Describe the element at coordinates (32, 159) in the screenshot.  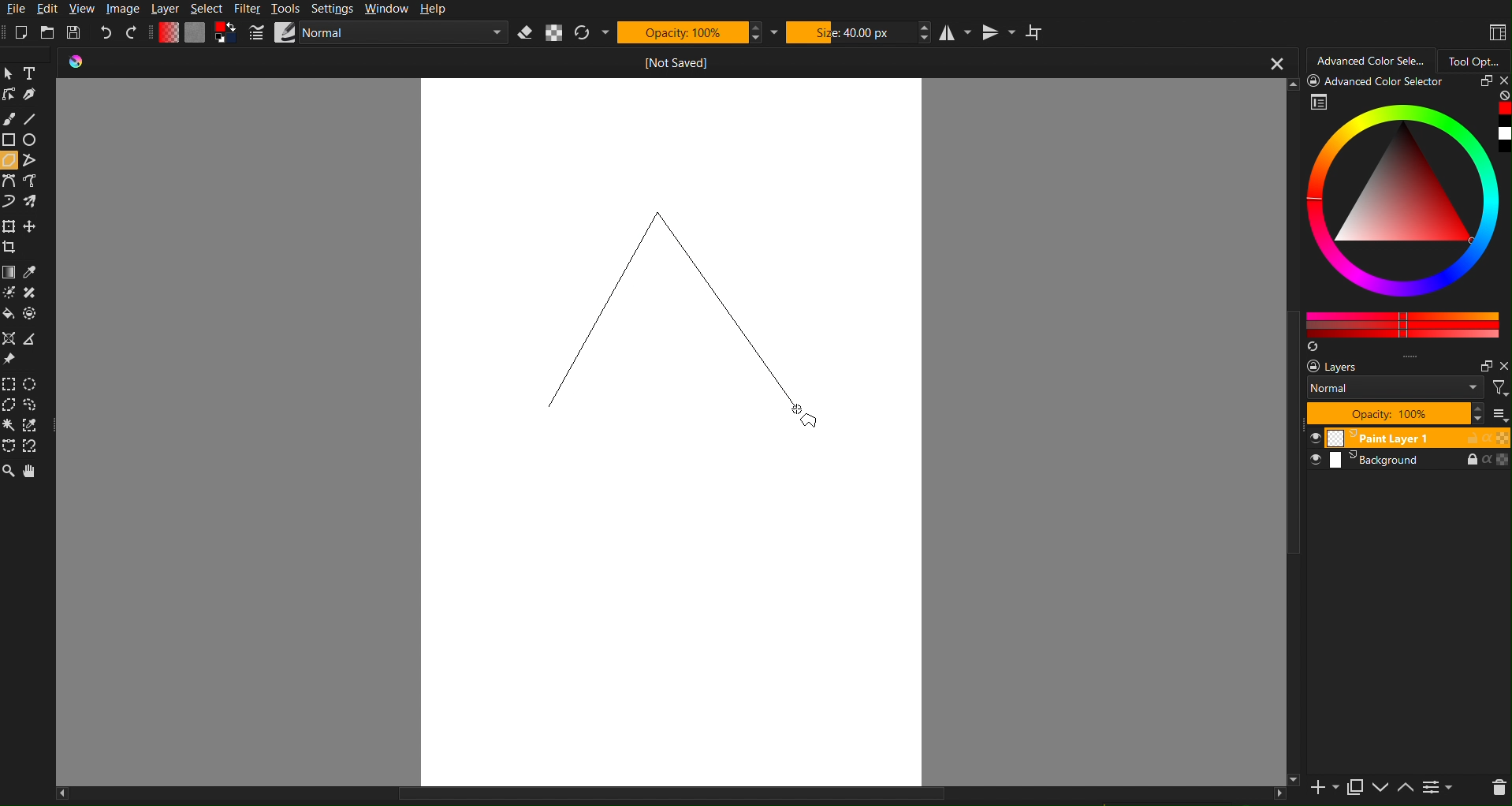
I see `polyline tool` at that location.